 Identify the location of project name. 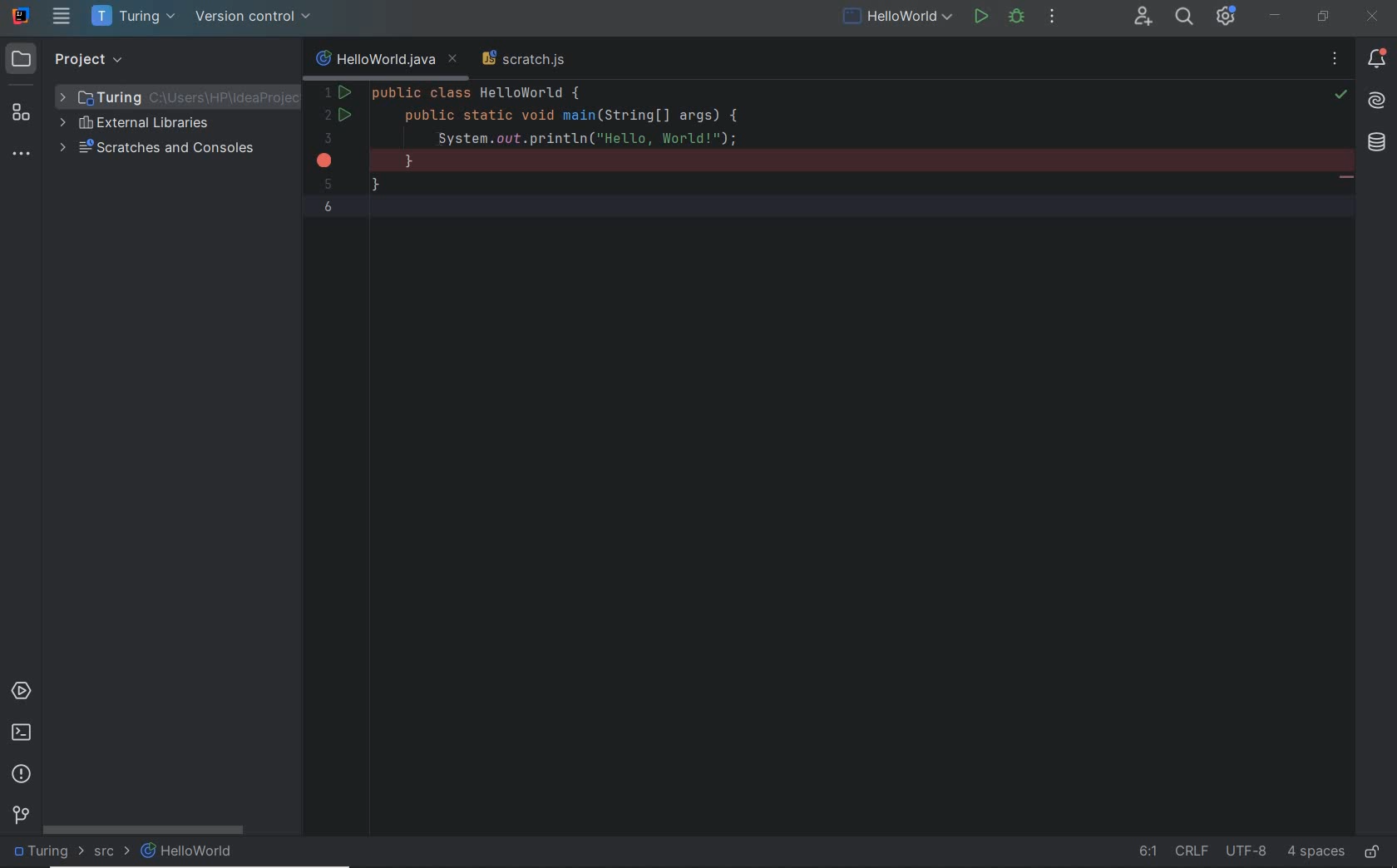
(46, 851).